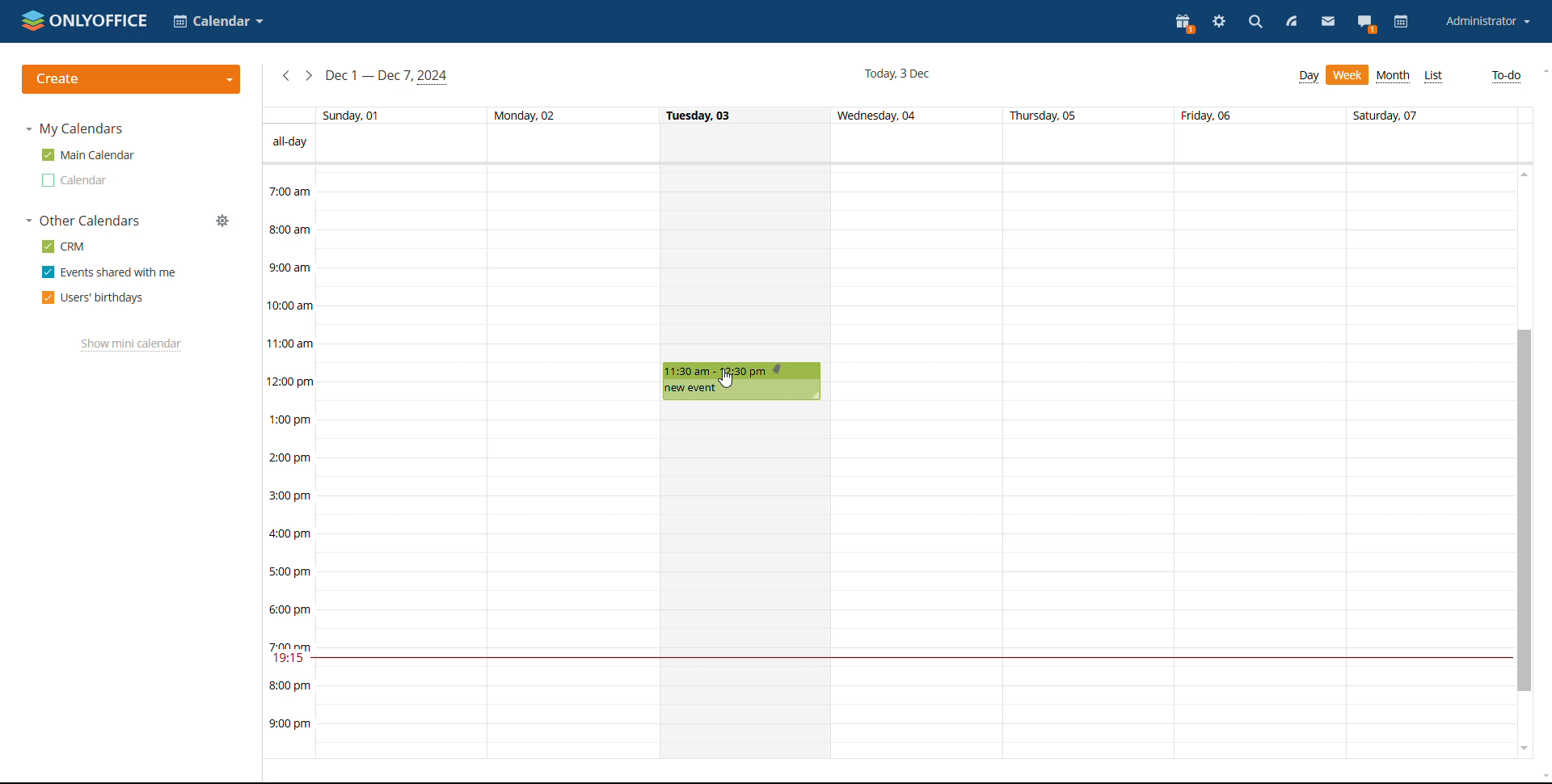  Describe the element at coordinates (1327, 23) in the screenshot. I see `mail` at that location.